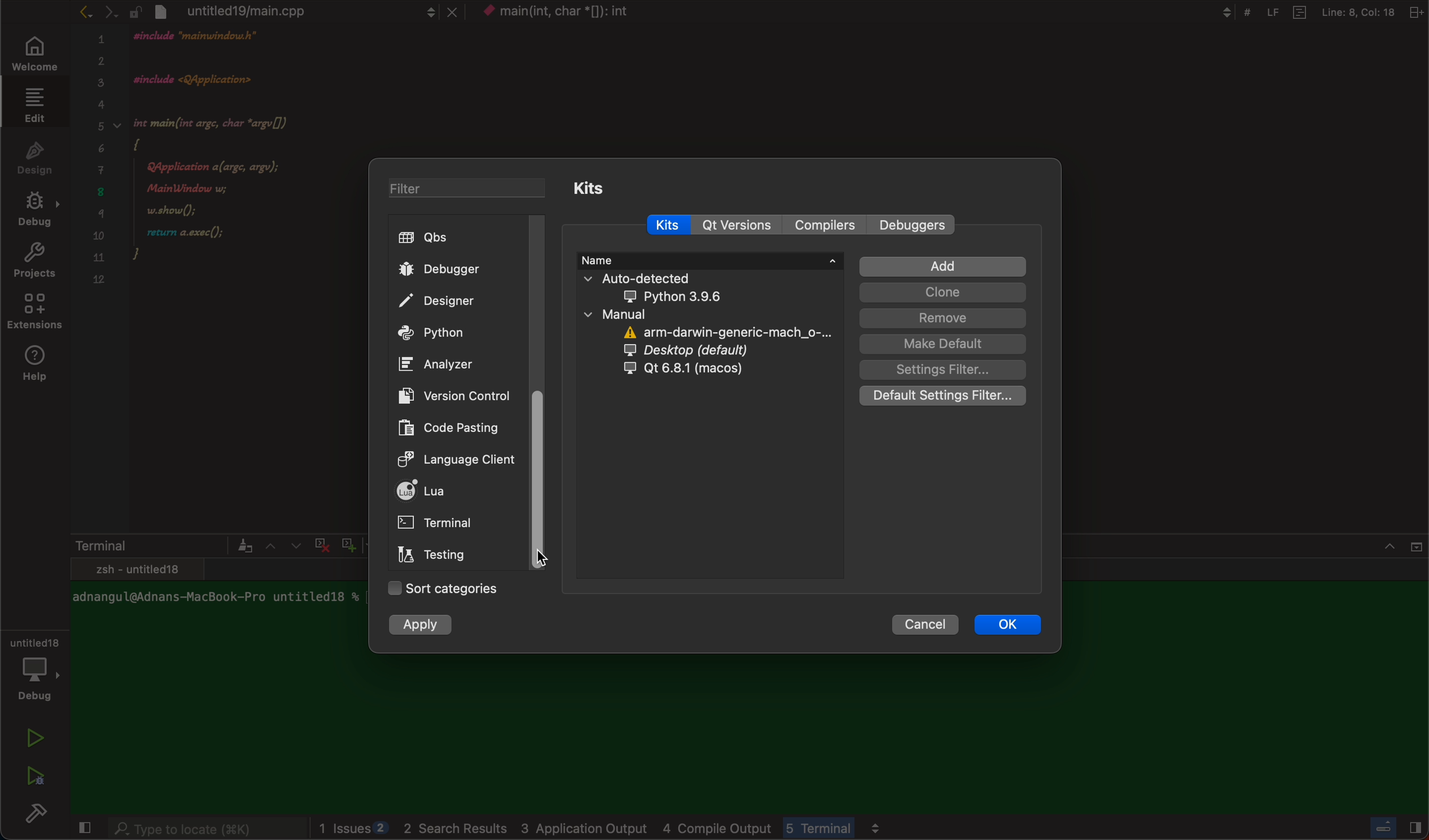 This screenshot has width=1429, height=840. What do you see at coordinates (585, 188) in the screenshot?
I see `kits` at bounding box center [585, 188].